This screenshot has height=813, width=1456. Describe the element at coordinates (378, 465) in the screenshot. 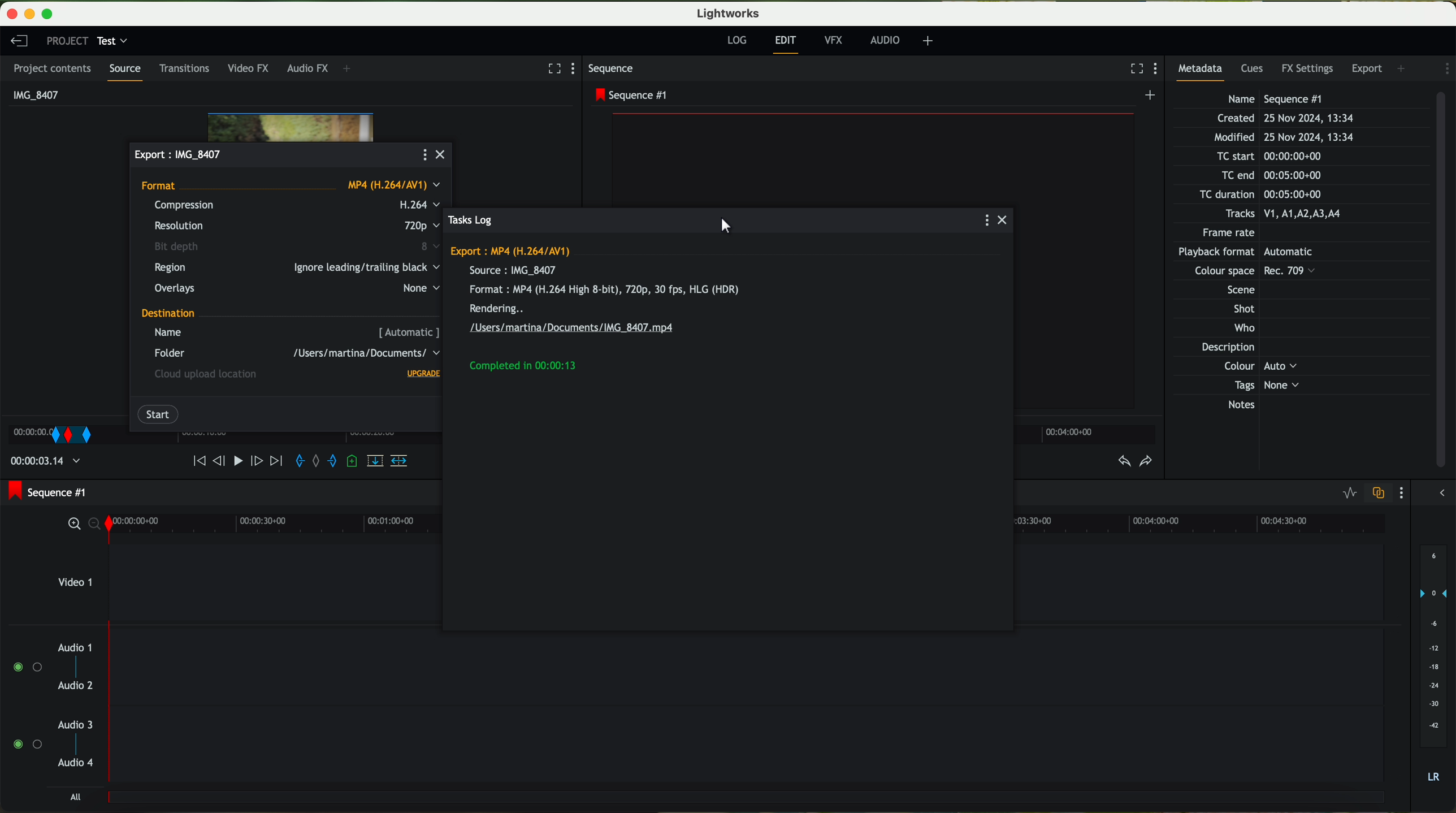

I see `replace into the target sequence` at that location.